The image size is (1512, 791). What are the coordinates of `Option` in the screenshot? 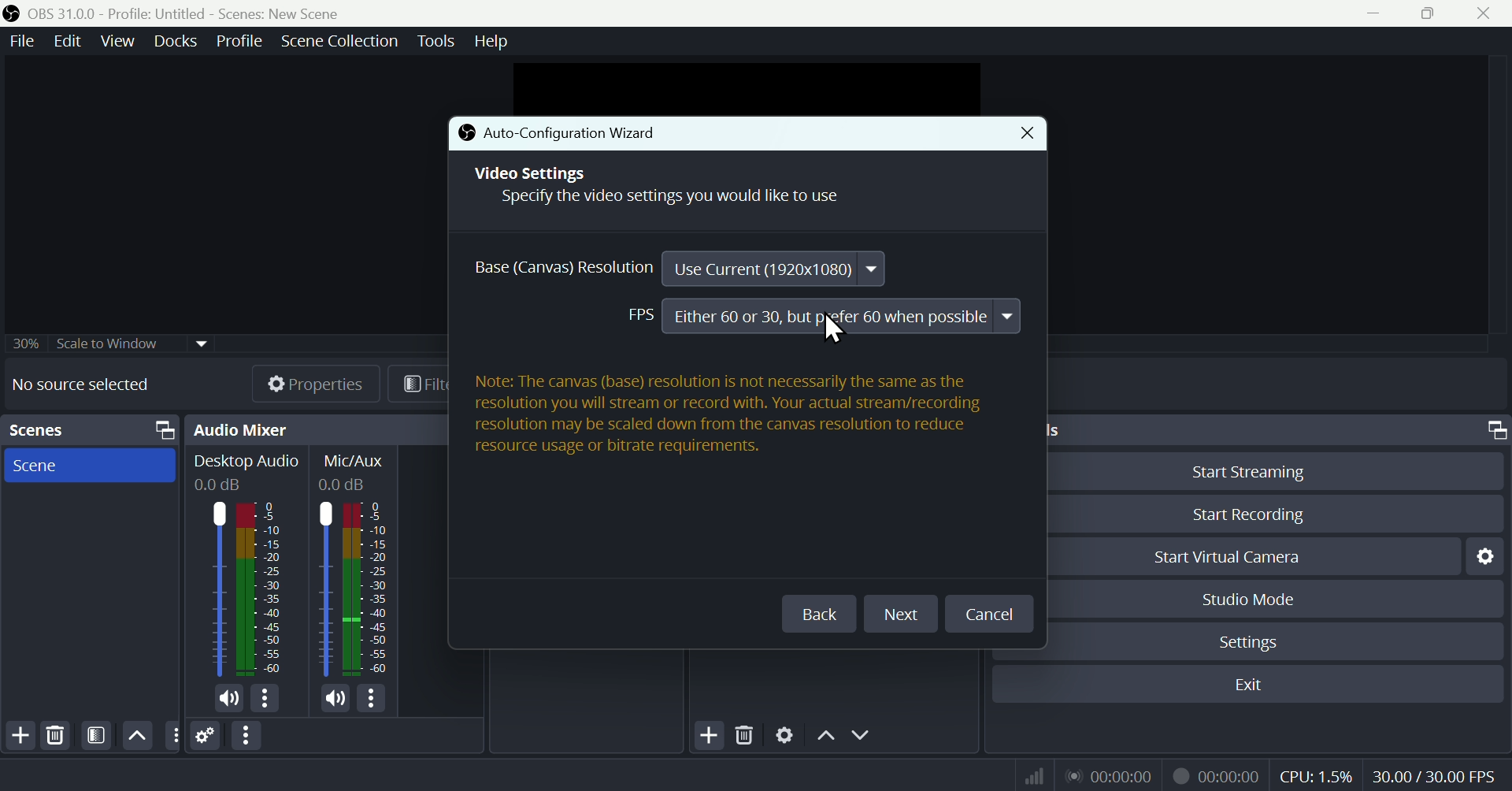 It's located at (248, 736).